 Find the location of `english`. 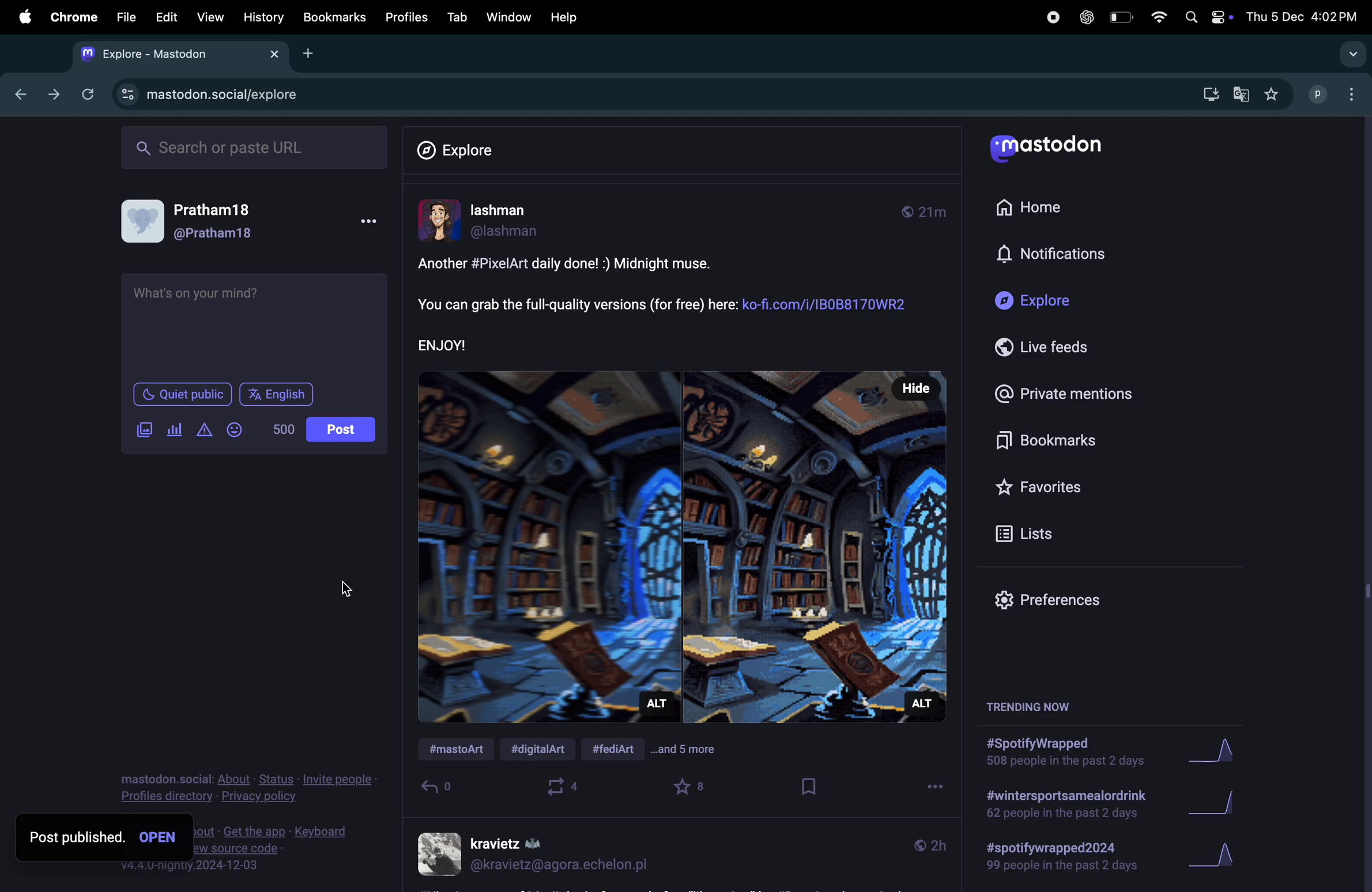

english is located at coordinates (280, 395).